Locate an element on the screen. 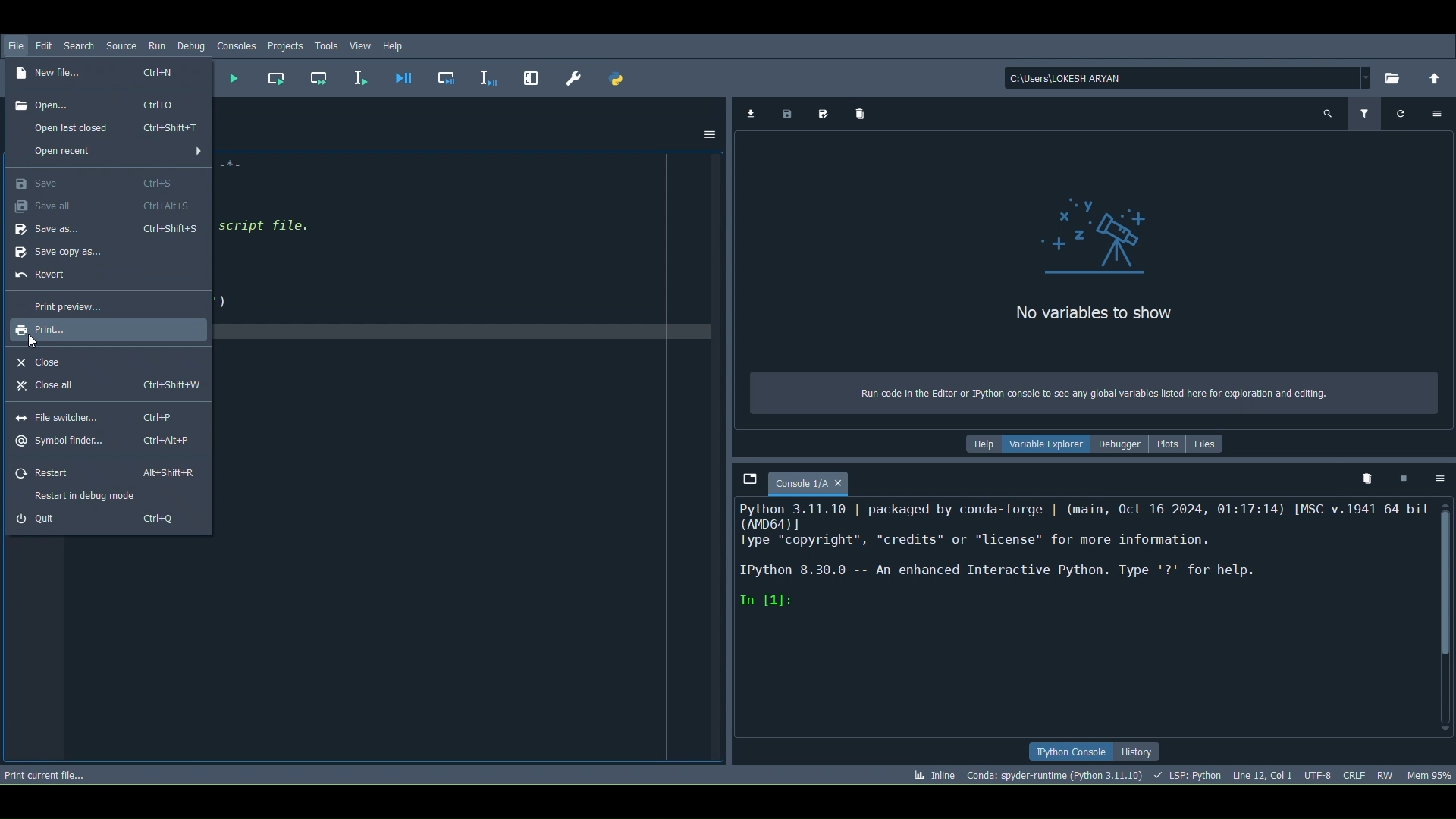  Debugger is located at coordinates (1123, 446).